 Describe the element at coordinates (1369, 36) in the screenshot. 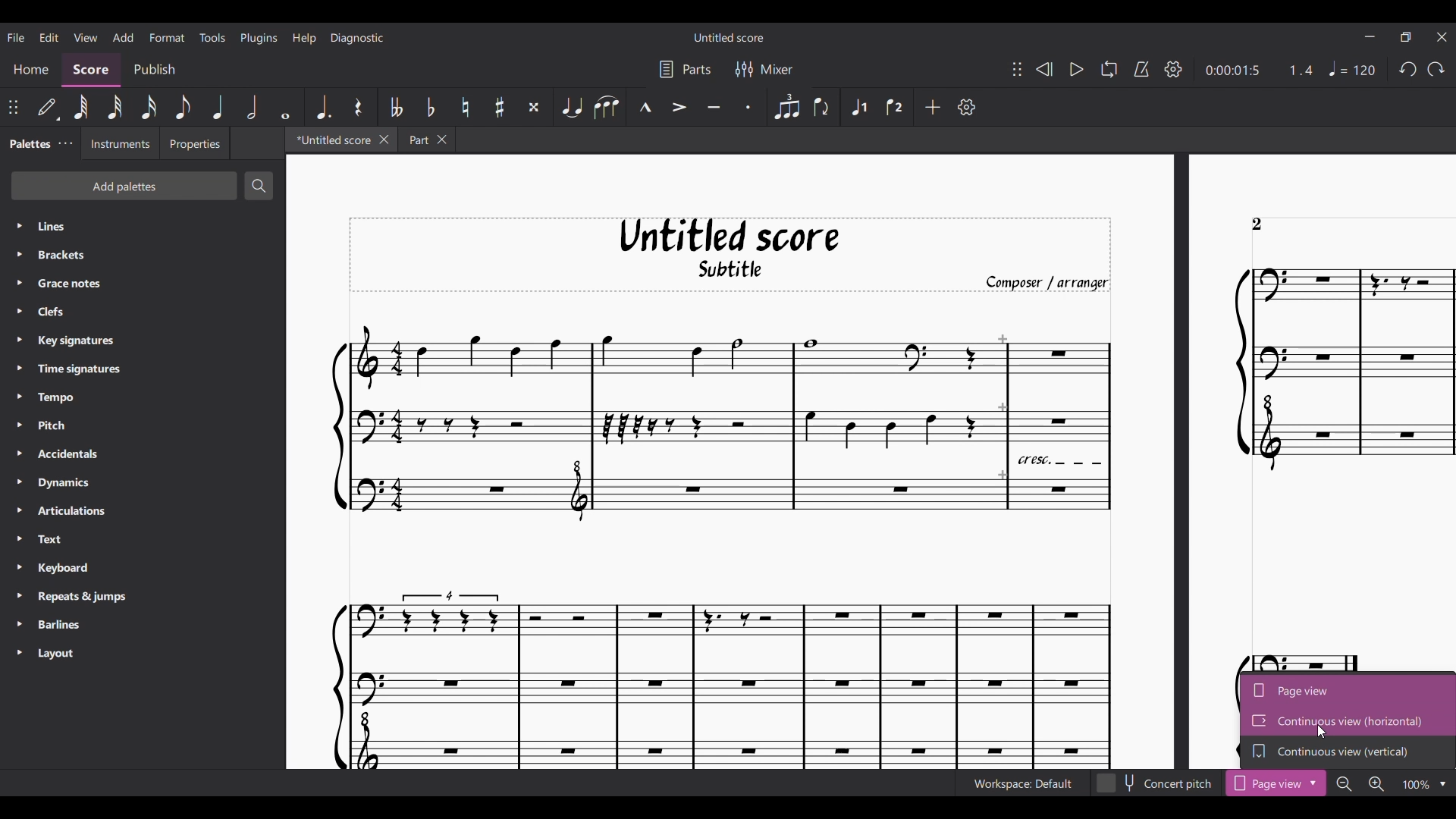

I see `Minimize` at that location.